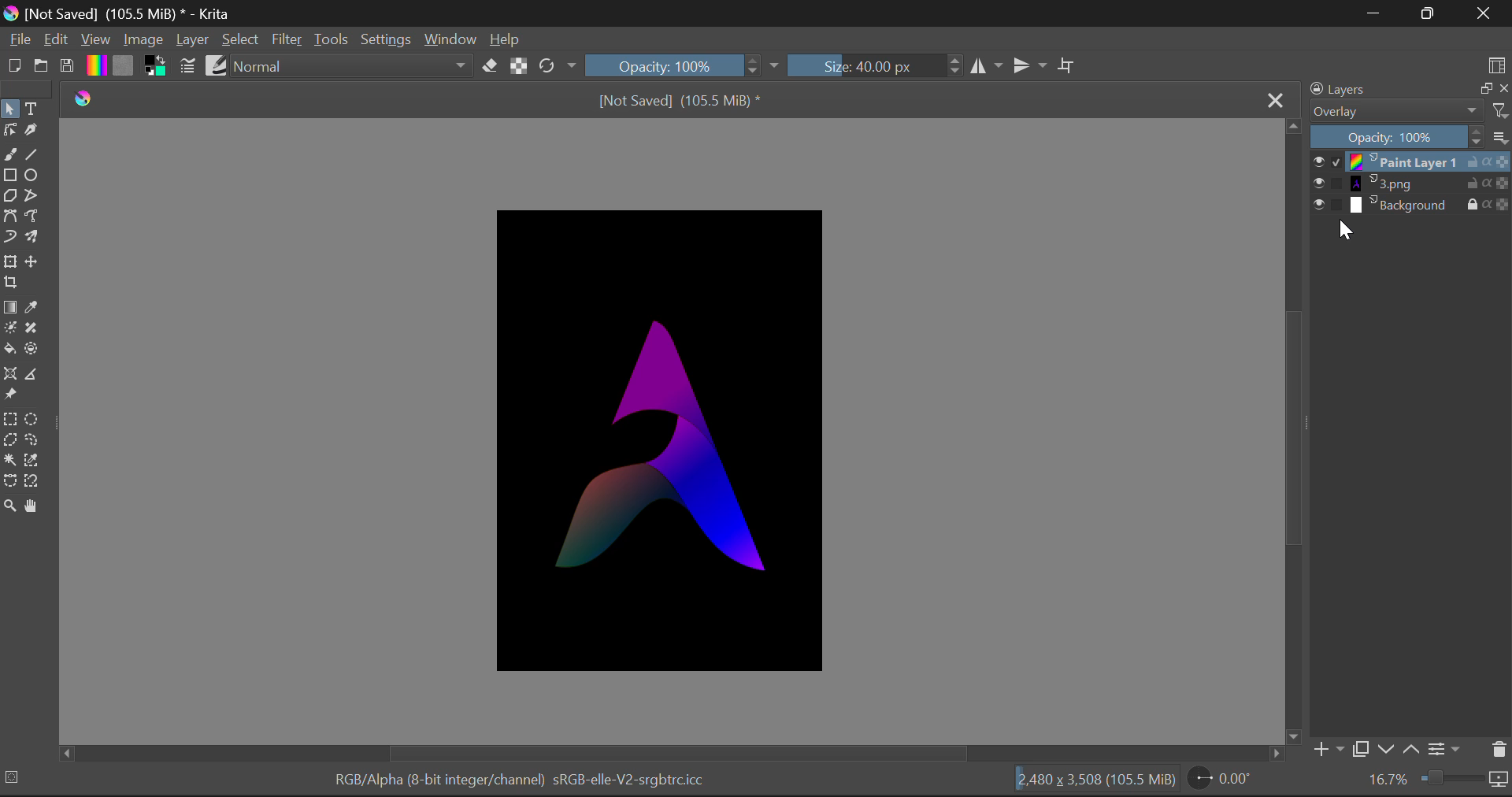 The height and width of the screenshot is (797, 1512). What do you see at coordinates (15, 67) in the screenshot?
I see `New` at bounding box center [15, 67].